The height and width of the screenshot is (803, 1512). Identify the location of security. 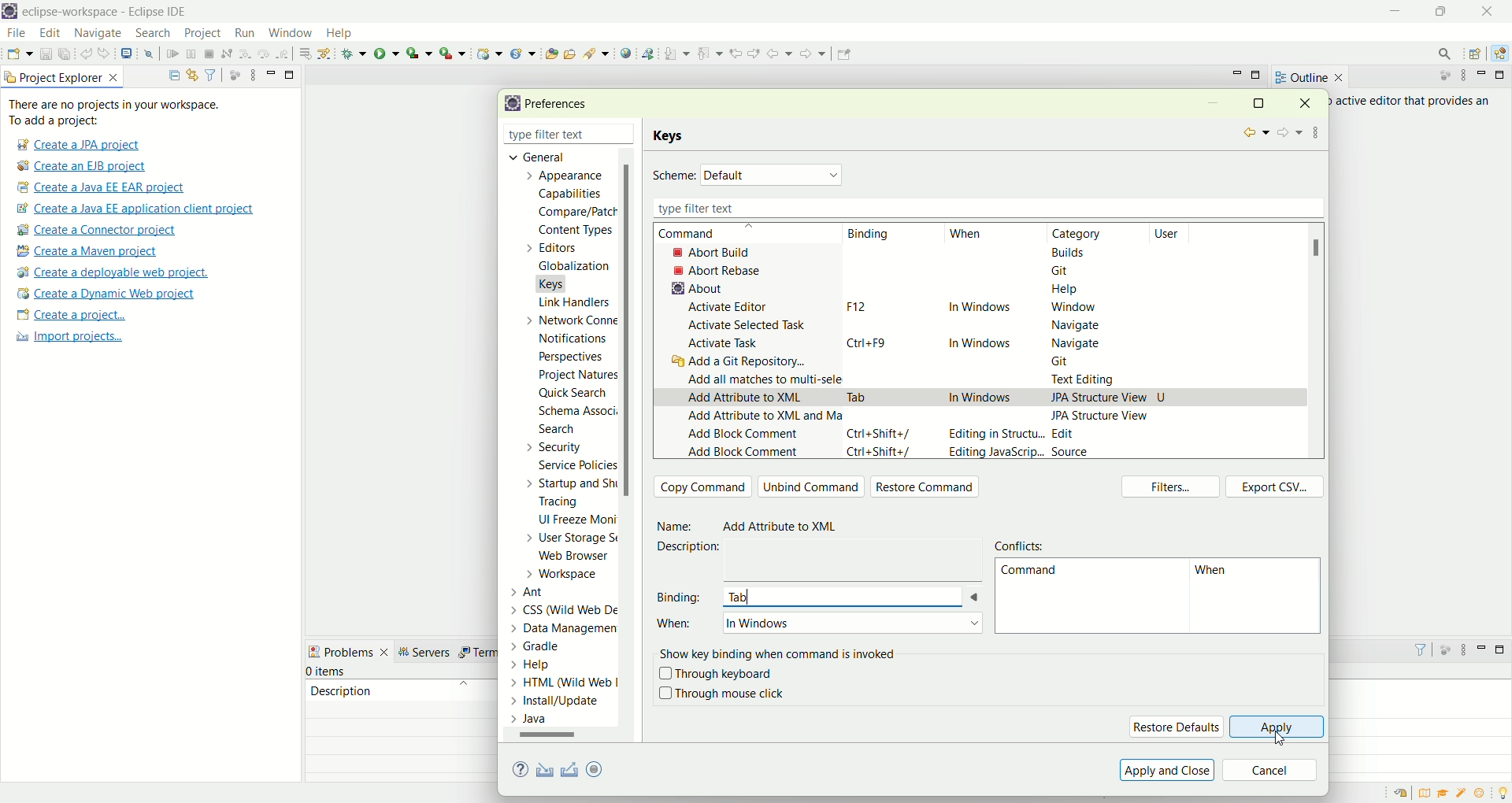
(550, 447).